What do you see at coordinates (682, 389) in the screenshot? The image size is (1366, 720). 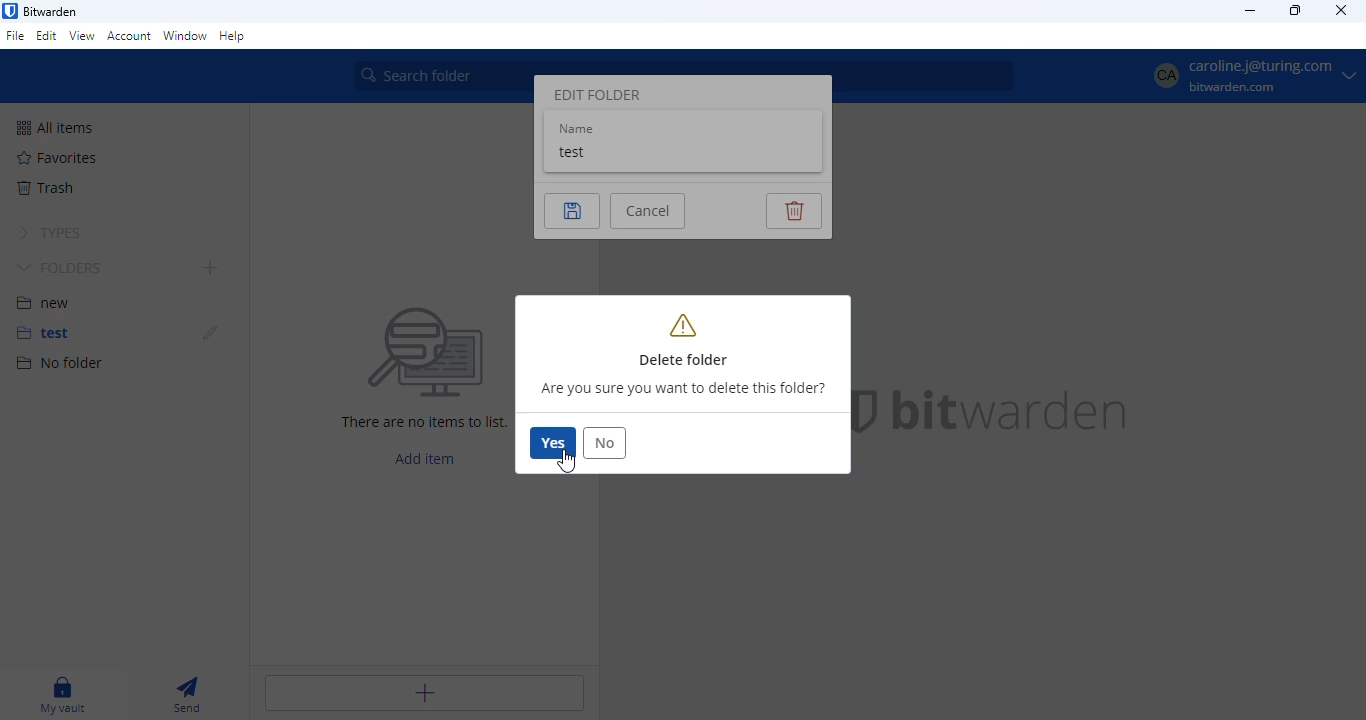 I see `are you sure you want to delete this folder?` at bounding box center [682, 389].